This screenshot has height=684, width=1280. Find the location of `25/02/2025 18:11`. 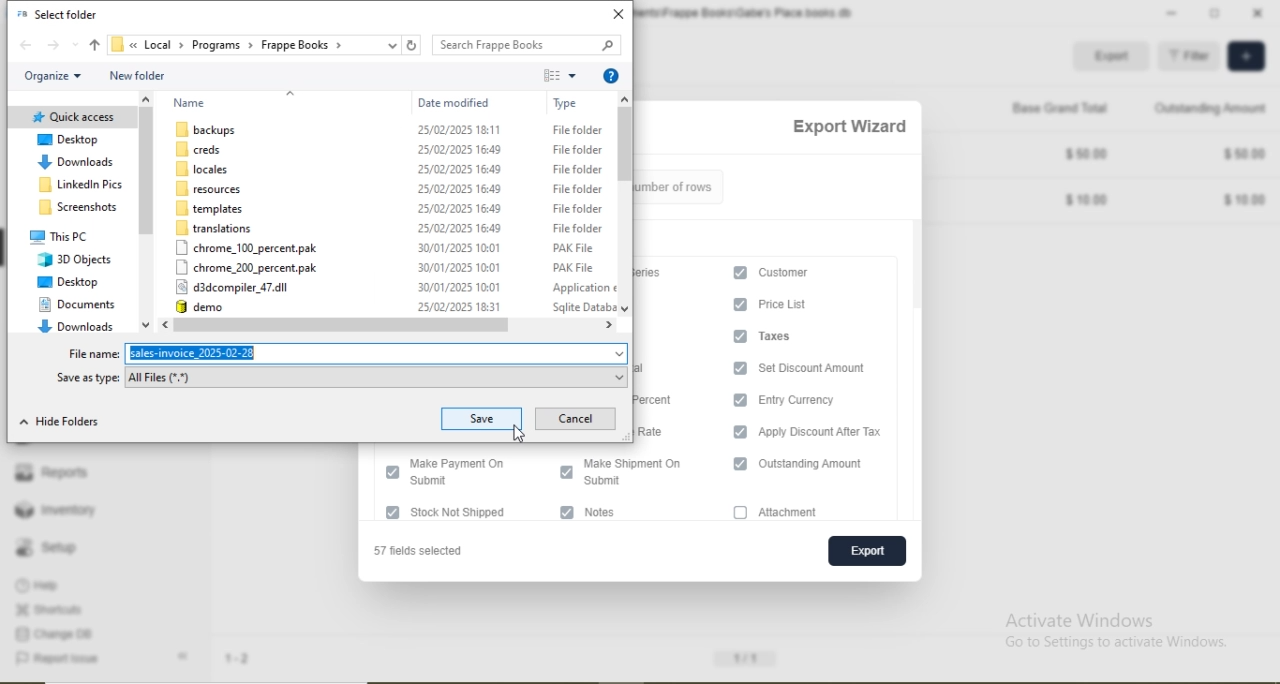

25/02/2025 18:11 is located at coordinates (458, 128).